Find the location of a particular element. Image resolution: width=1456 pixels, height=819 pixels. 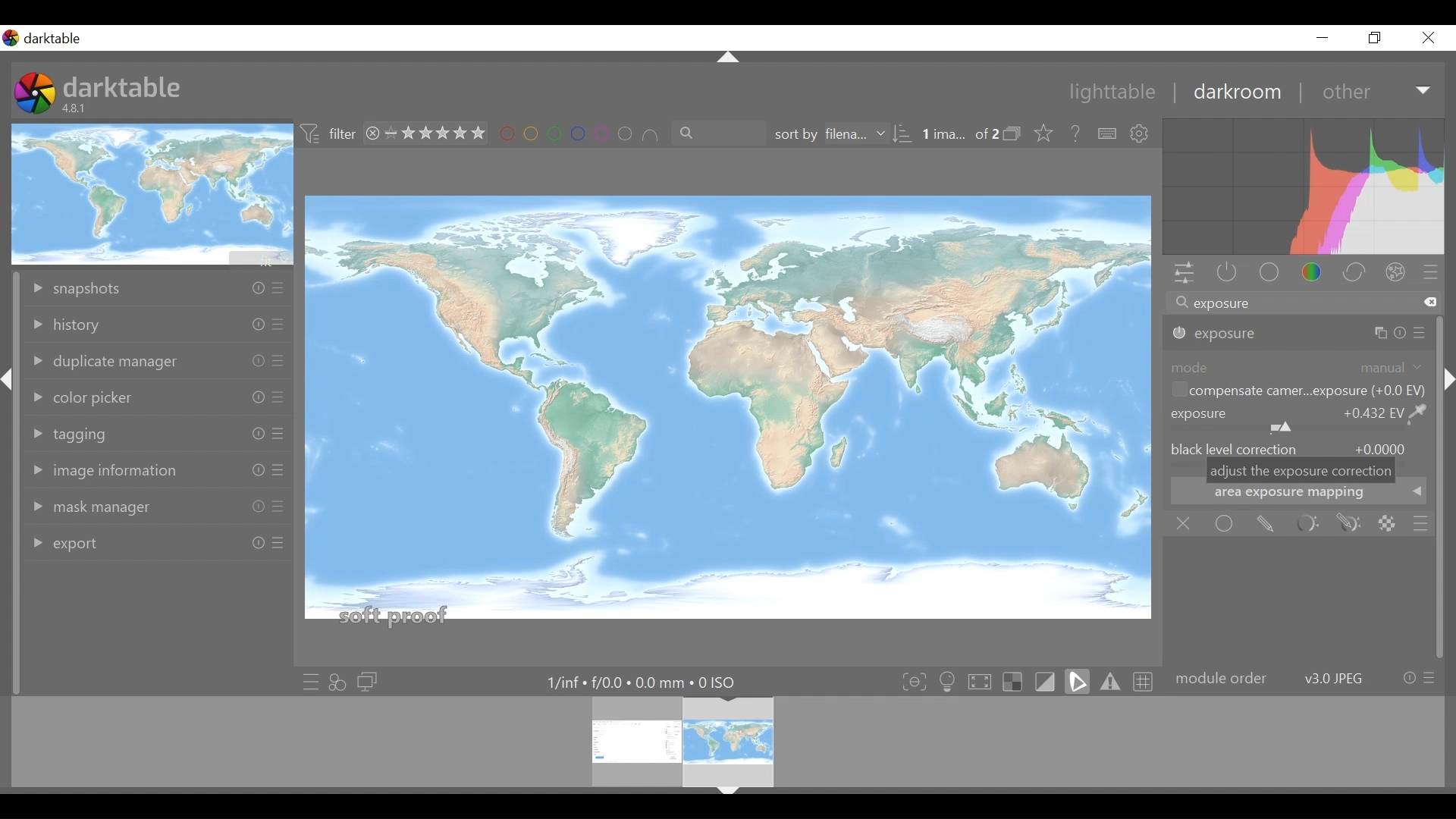

history is located at coordinates (67, 325).